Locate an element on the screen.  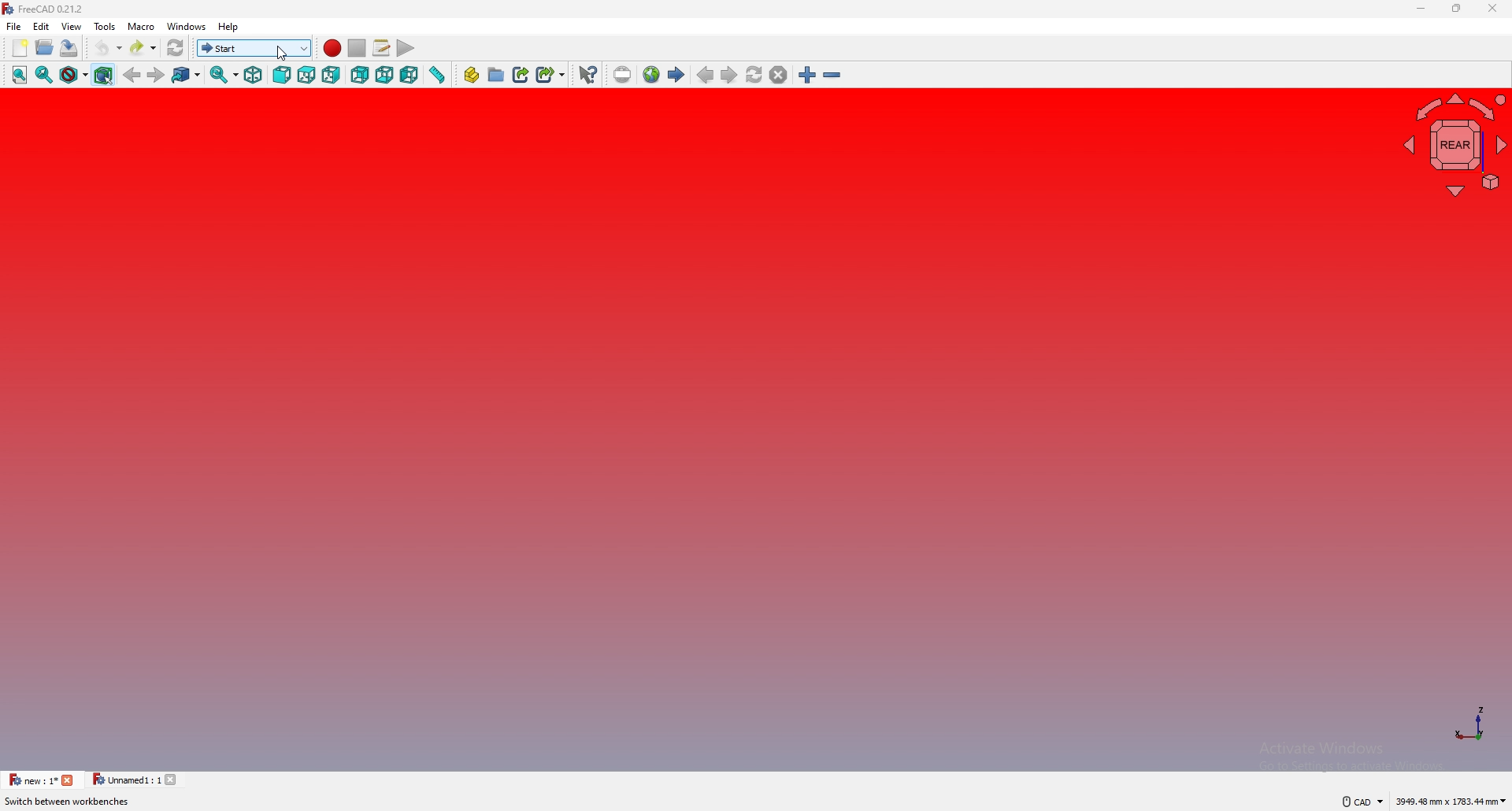
create link is located at coordinates (522, 74).